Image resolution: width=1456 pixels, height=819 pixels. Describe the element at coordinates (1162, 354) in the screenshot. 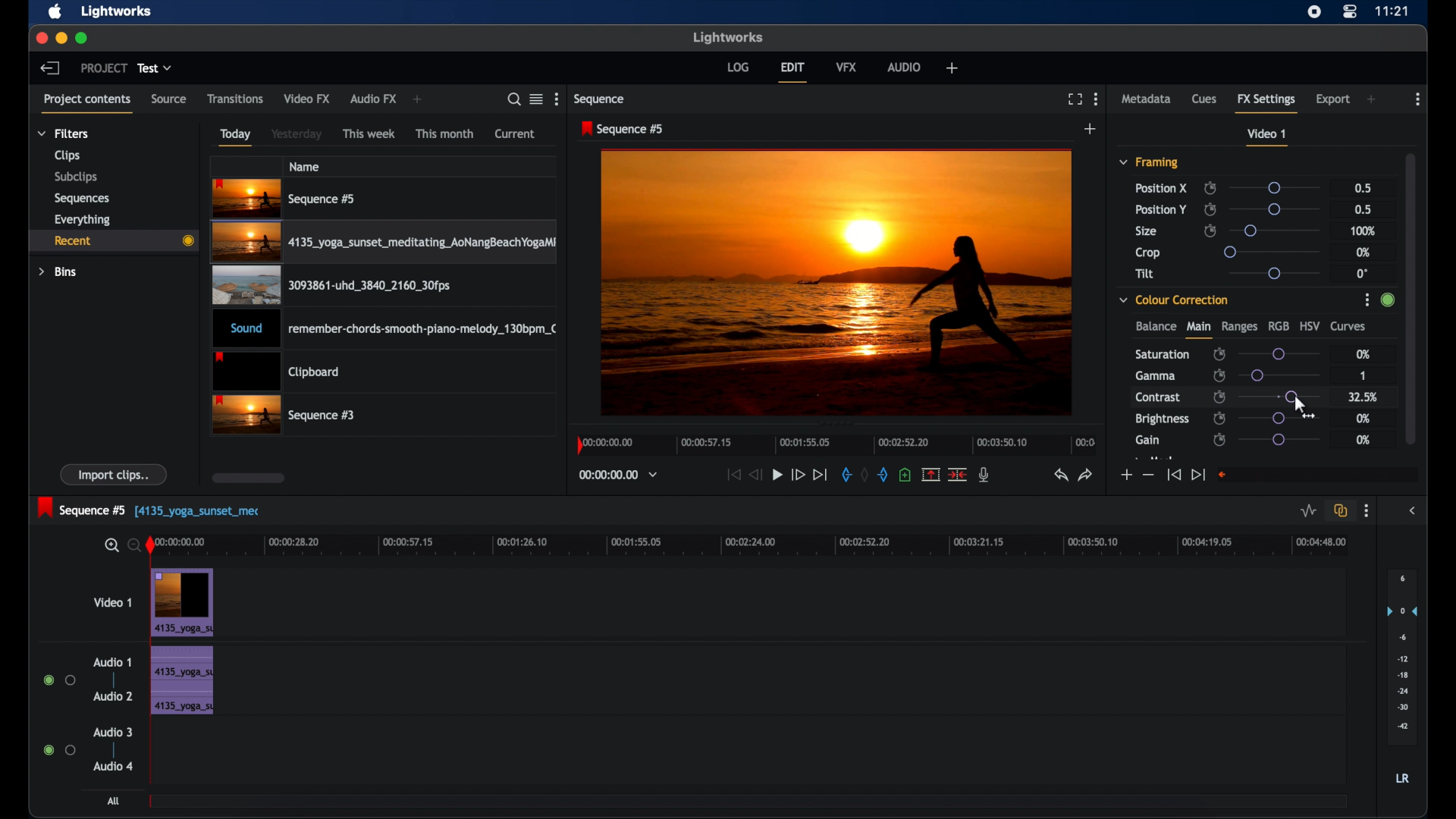

I see `saturation` at that location.